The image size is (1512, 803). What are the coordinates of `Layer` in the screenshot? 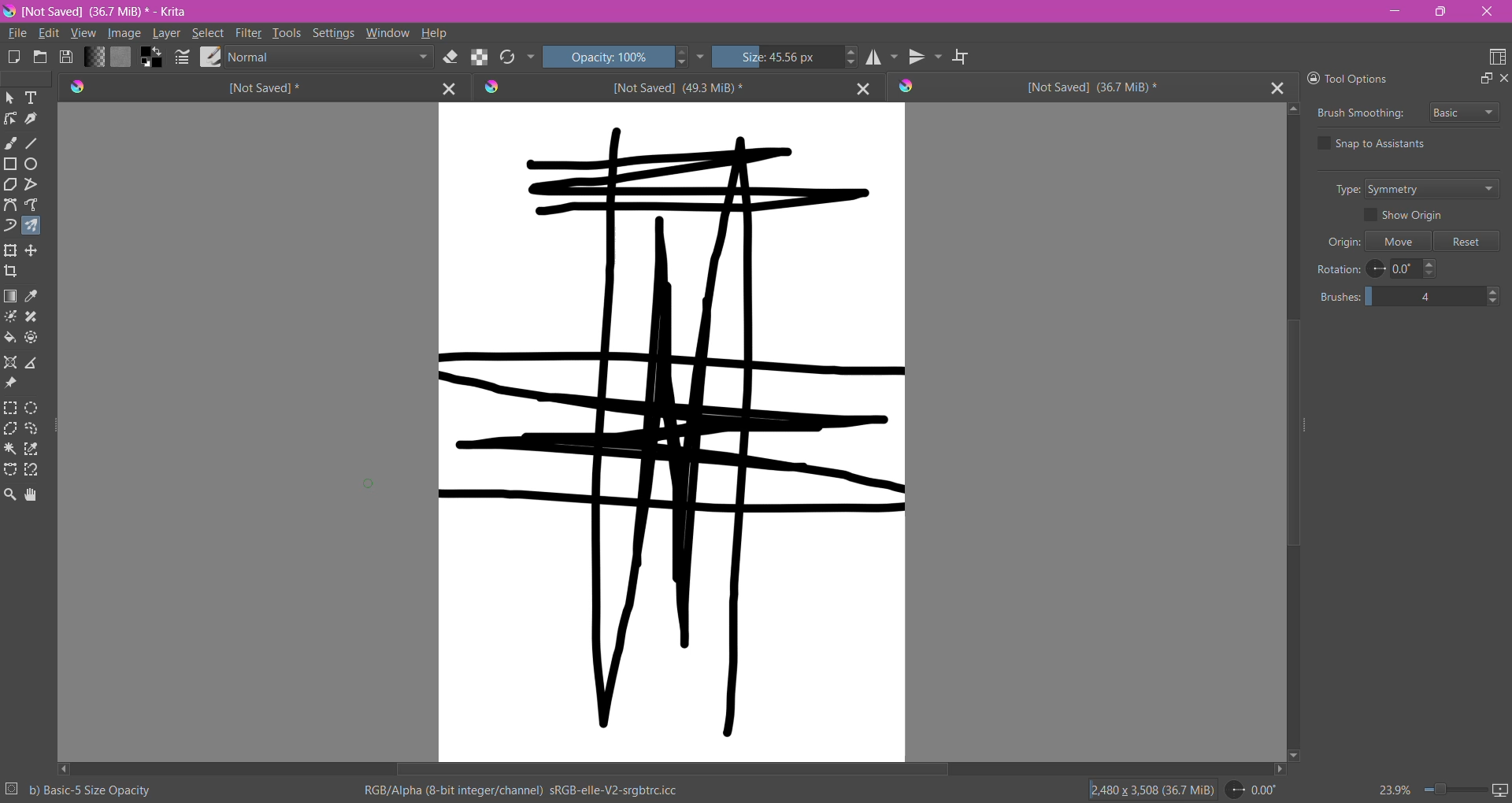 It's located at (165, 35).